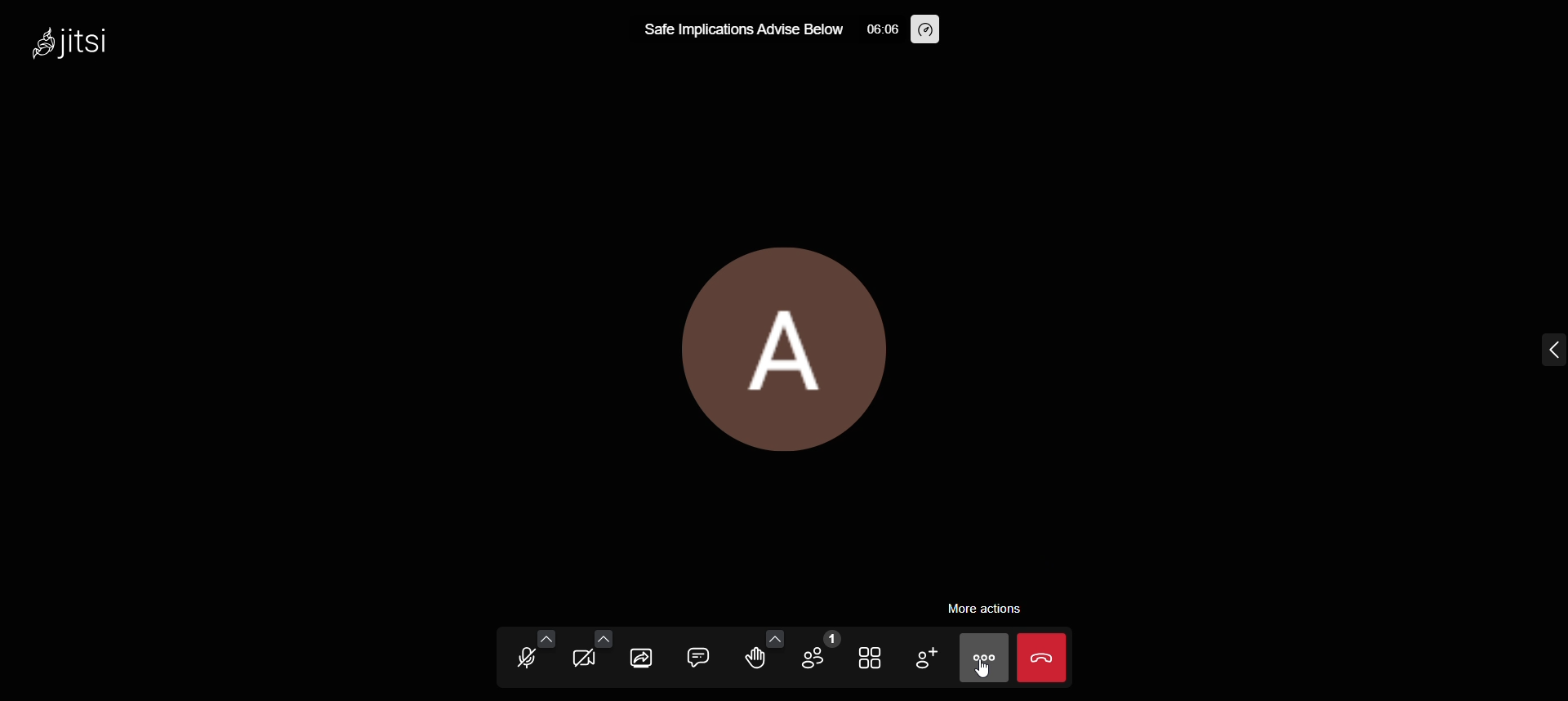  What do you see at coordinates (986, 607) in the screenshot?
I see `more action` at bounding box center [986, 607].